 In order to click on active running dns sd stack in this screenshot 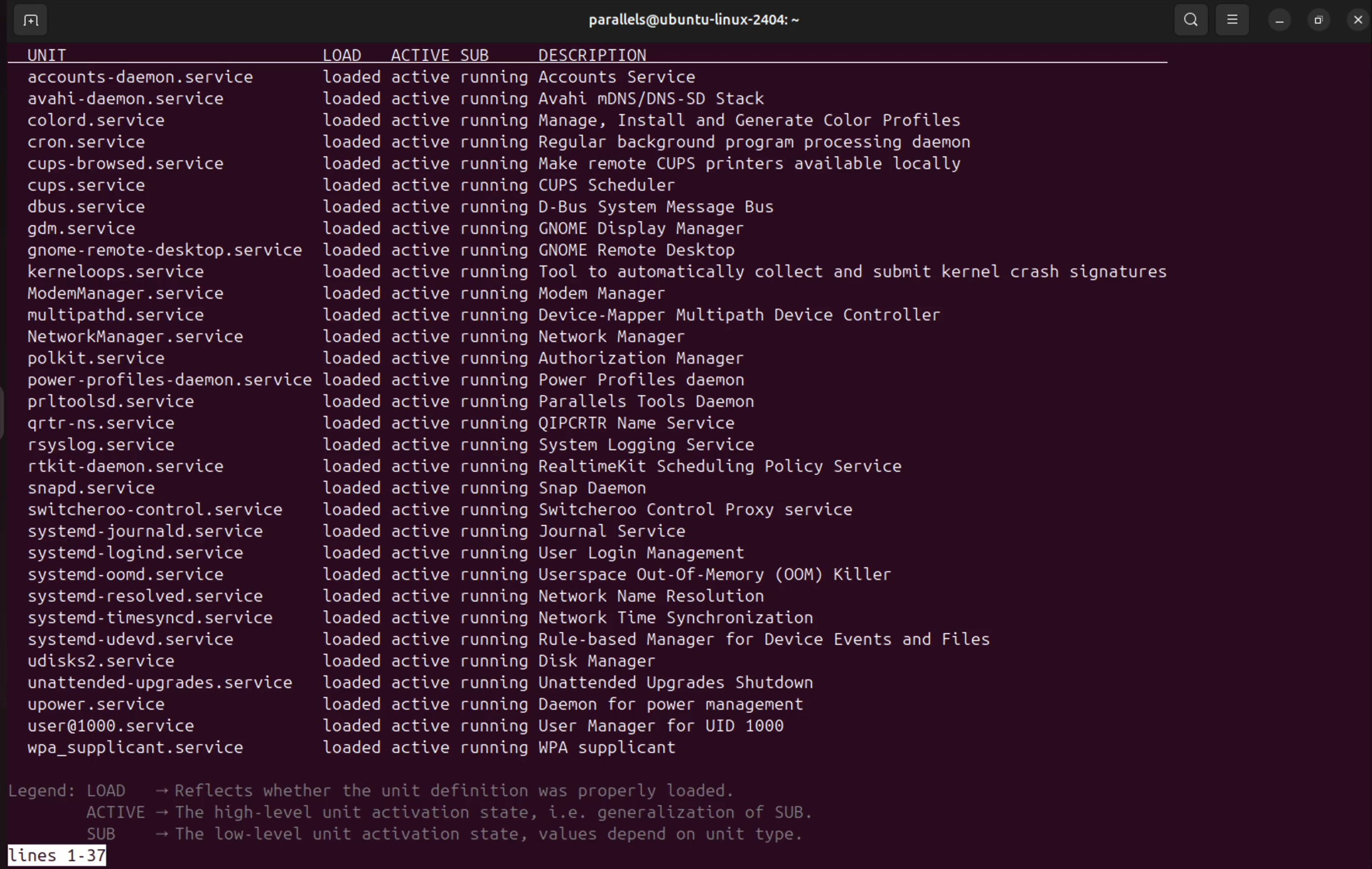, I will do `click(582, 99)`.